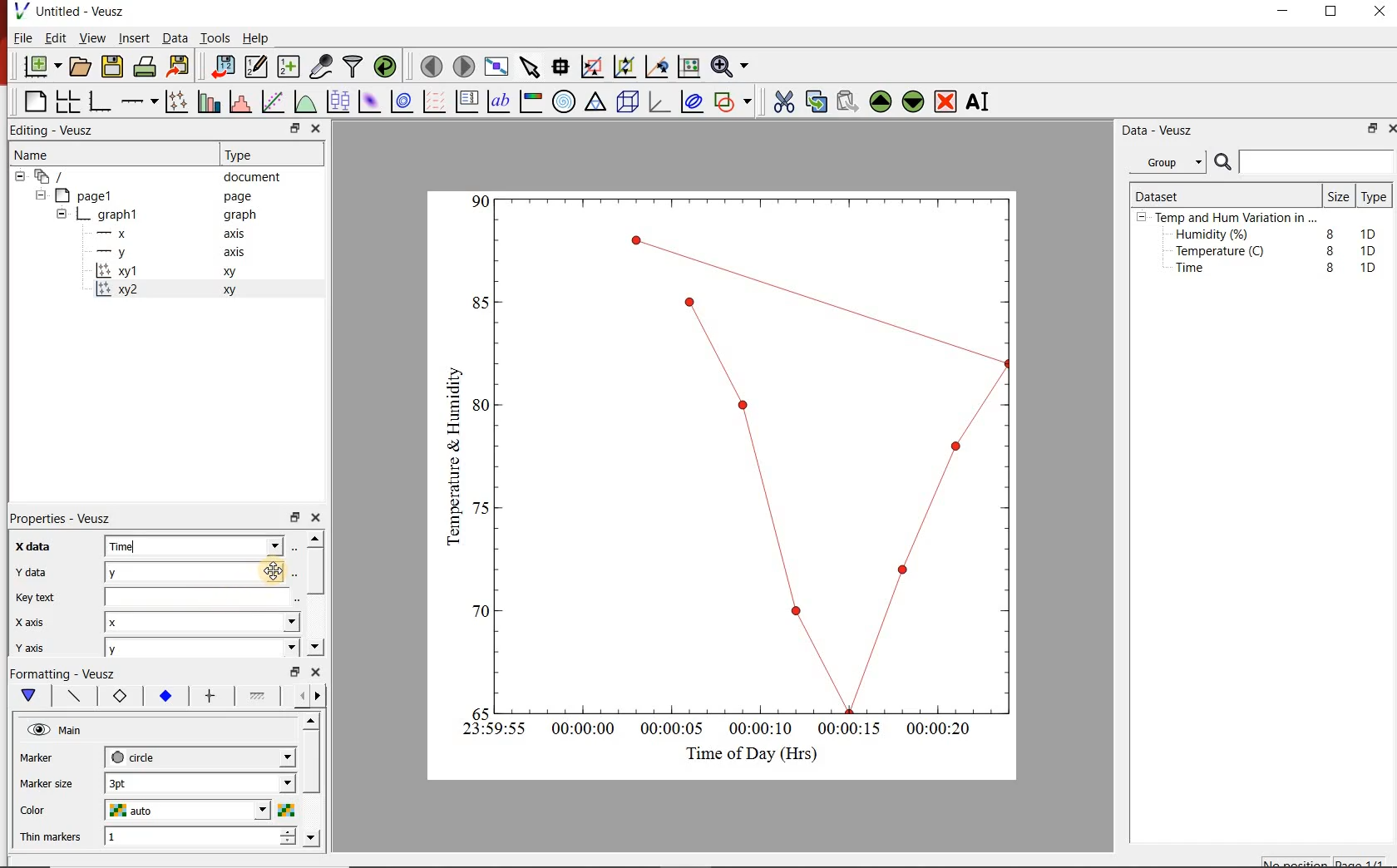 This screenshot has width=1397, height=868. What do you see at coordinates (370, 102) in the screenshot?
I see `plot a 2d dataset as an image` at bounding box center [370, 102].